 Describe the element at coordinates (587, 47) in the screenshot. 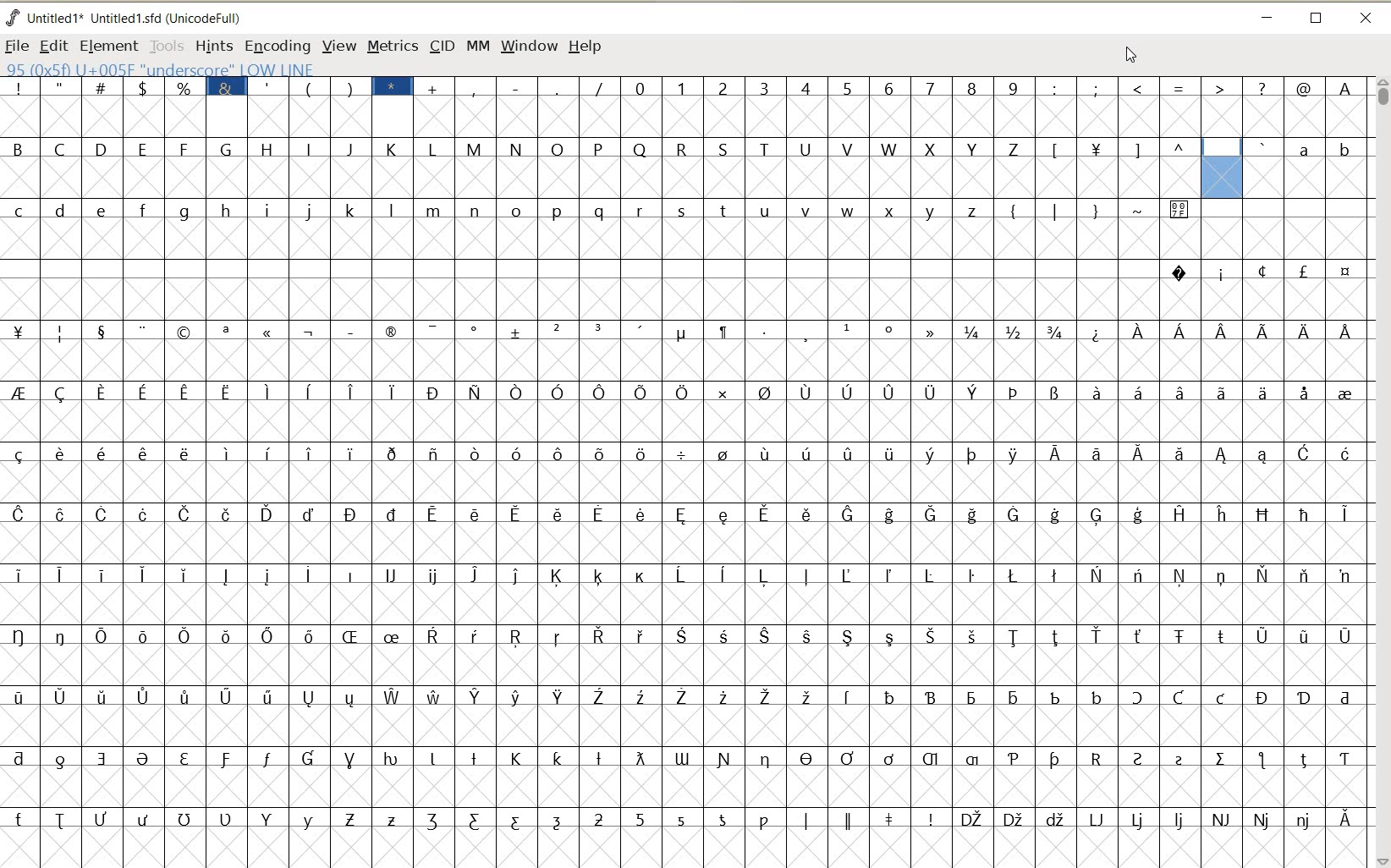

I see `HELP` at that location.